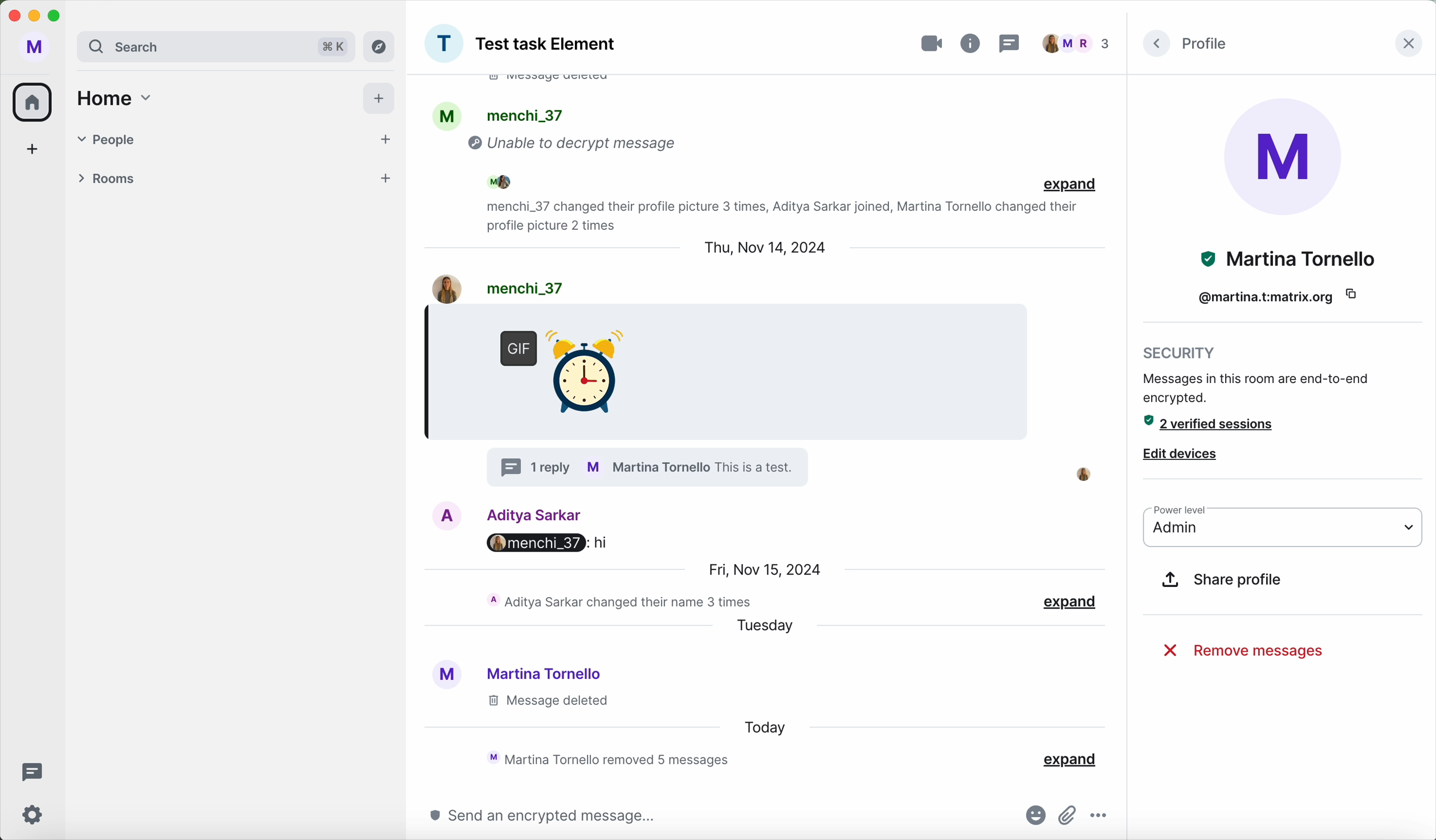 The width and height of the screenshot is (1436, 840). I want to click on unable to decrypt message, so click(578, 146).